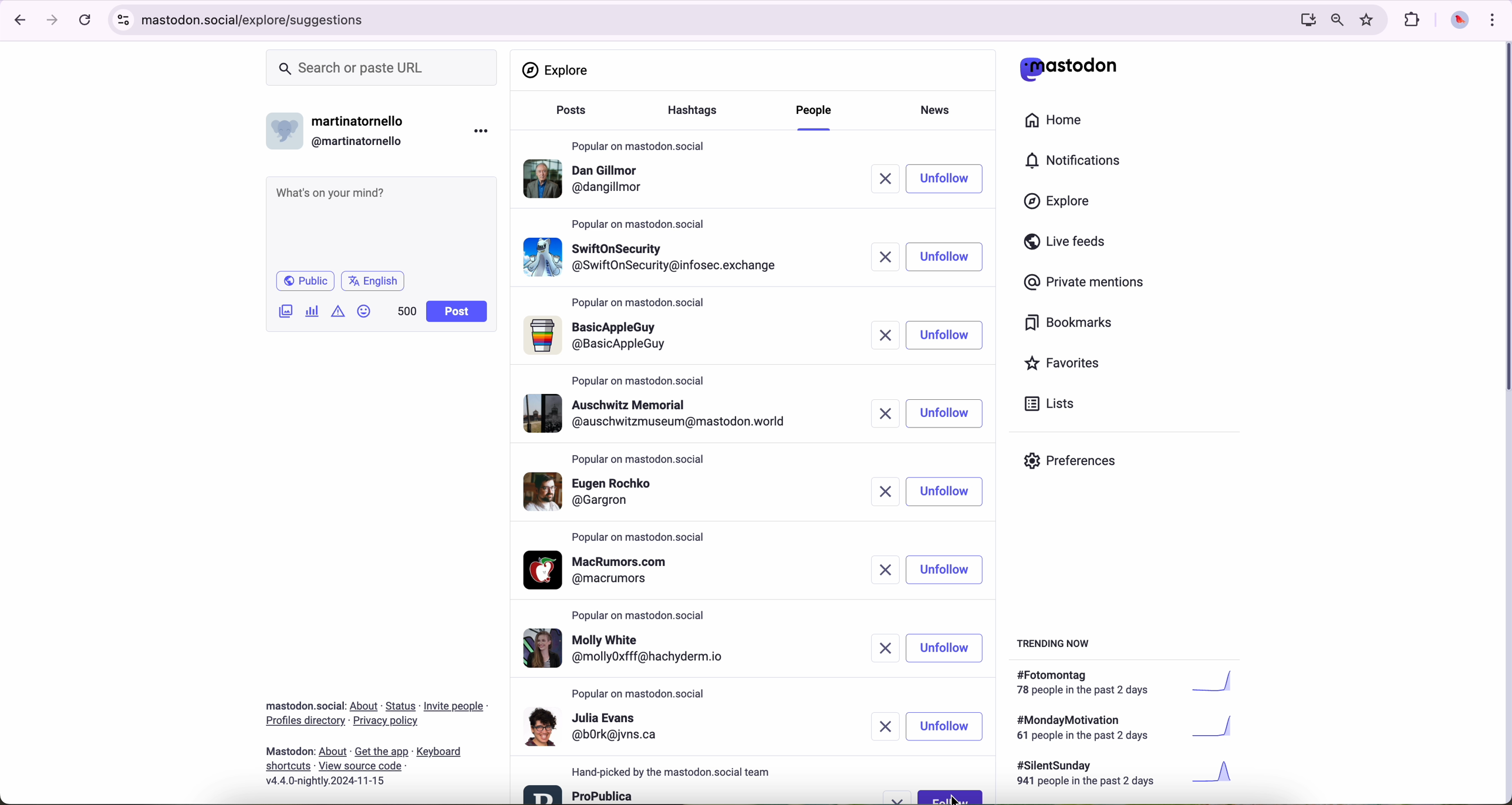 This screenshot has height=805, width=1512. I want to click on profile picture, so click(1456, 21).